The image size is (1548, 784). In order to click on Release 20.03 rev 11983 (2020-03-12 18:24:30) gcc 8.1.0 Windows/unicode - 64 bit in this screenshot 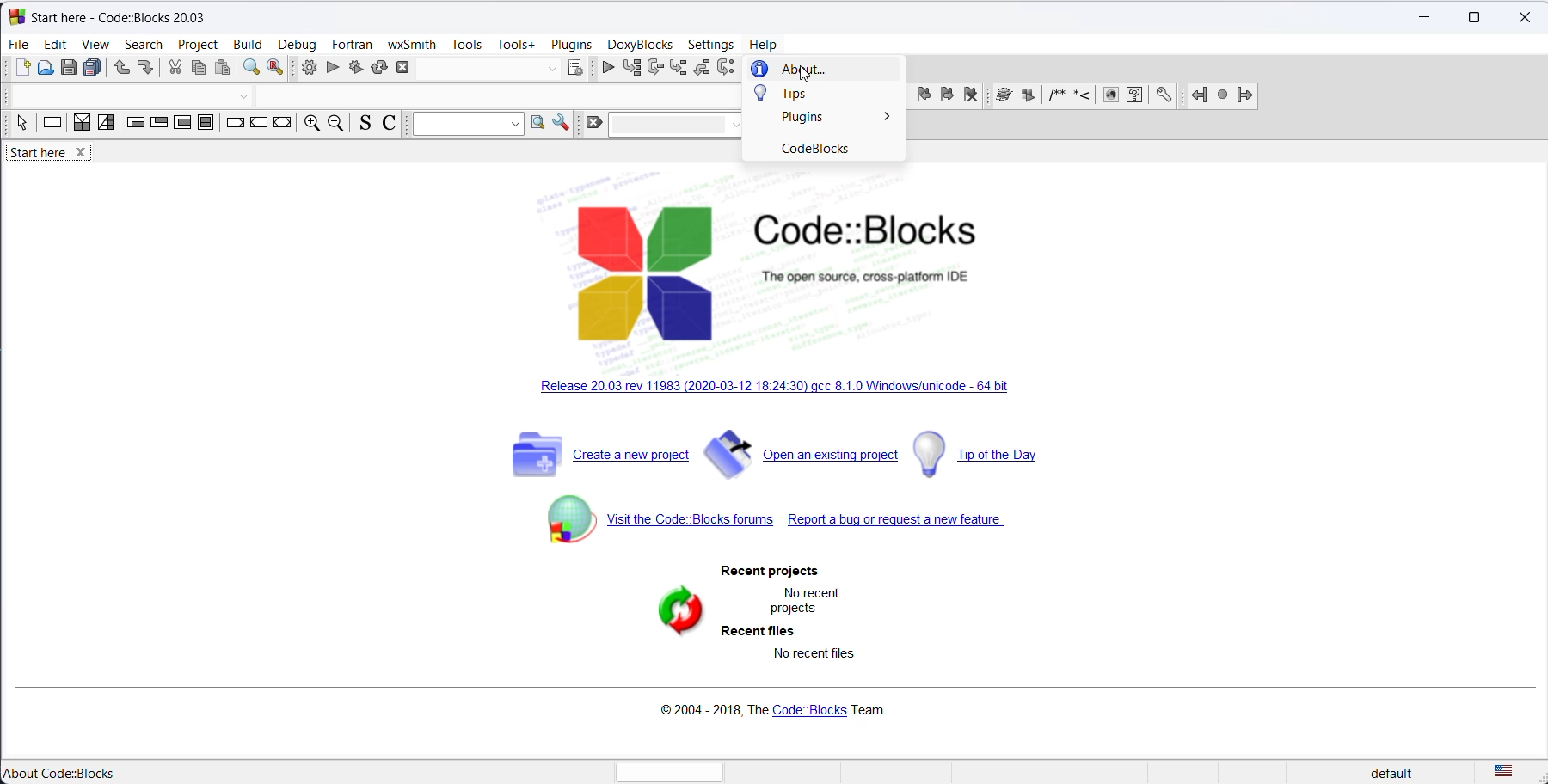, I will do `click(775, 391)`.